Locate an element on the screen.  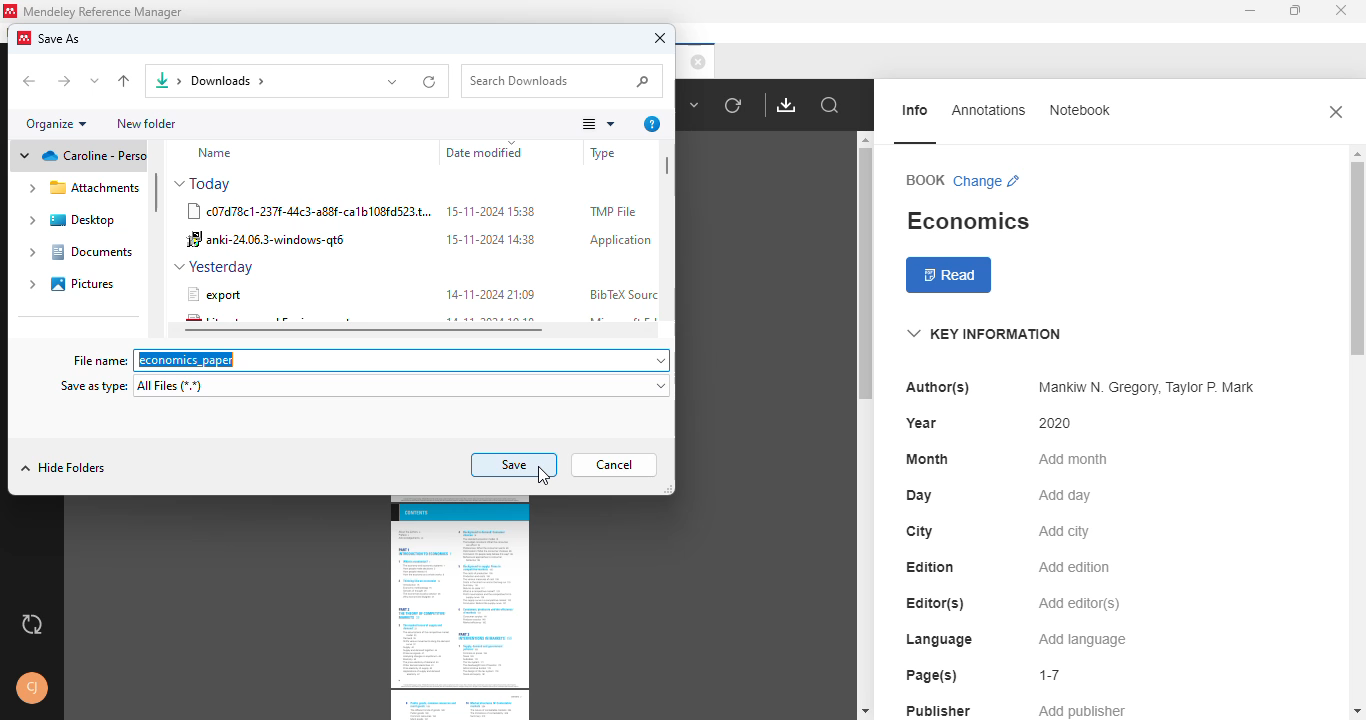
c07d78¢1-237f-44c3-288f-calb108fd523 8... is located at coordinates (310, 213).